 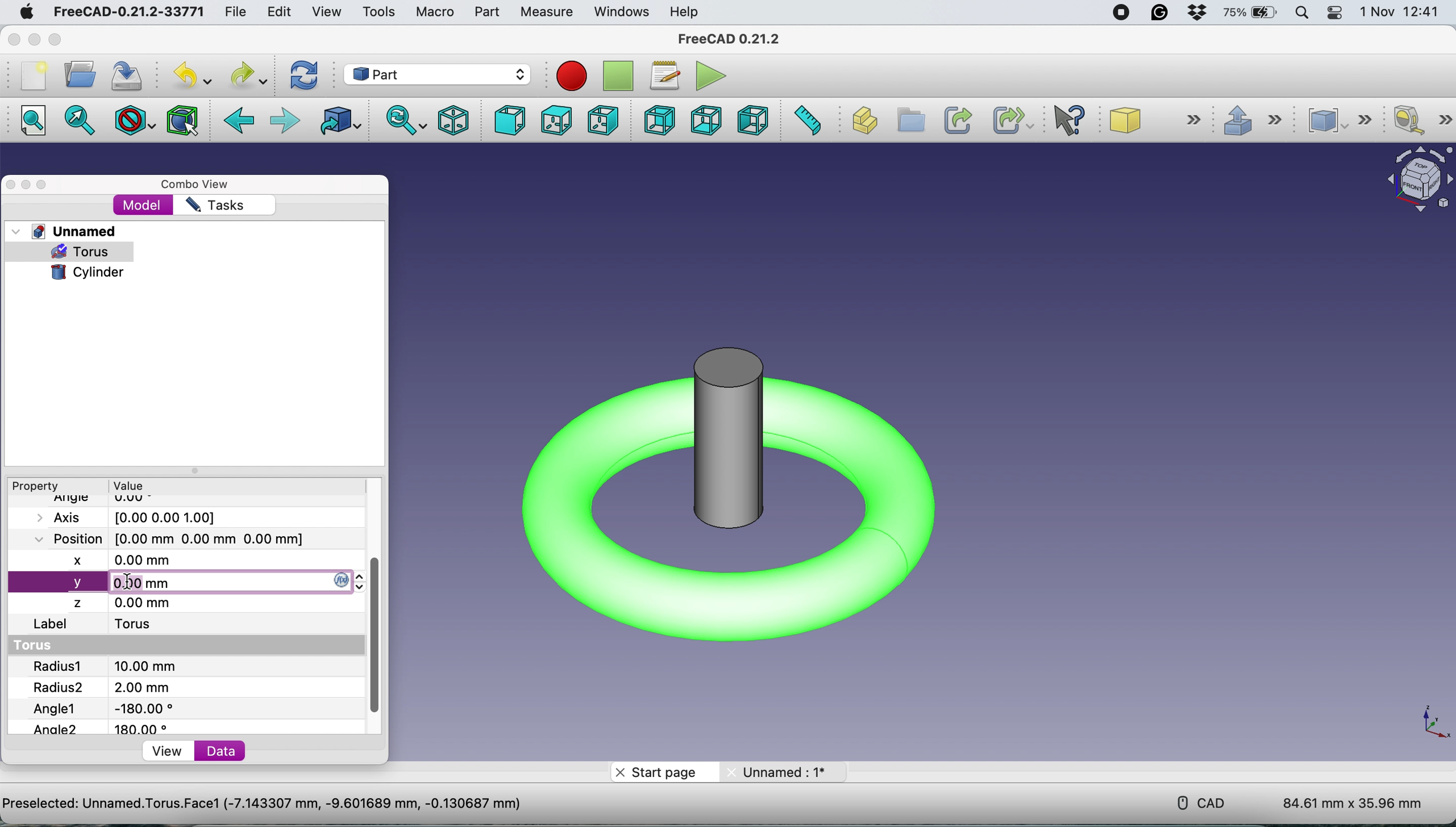 What do you see at coordinates (623, 12) in the screenshot?
I see `windows` at bounding box center [623, 12].